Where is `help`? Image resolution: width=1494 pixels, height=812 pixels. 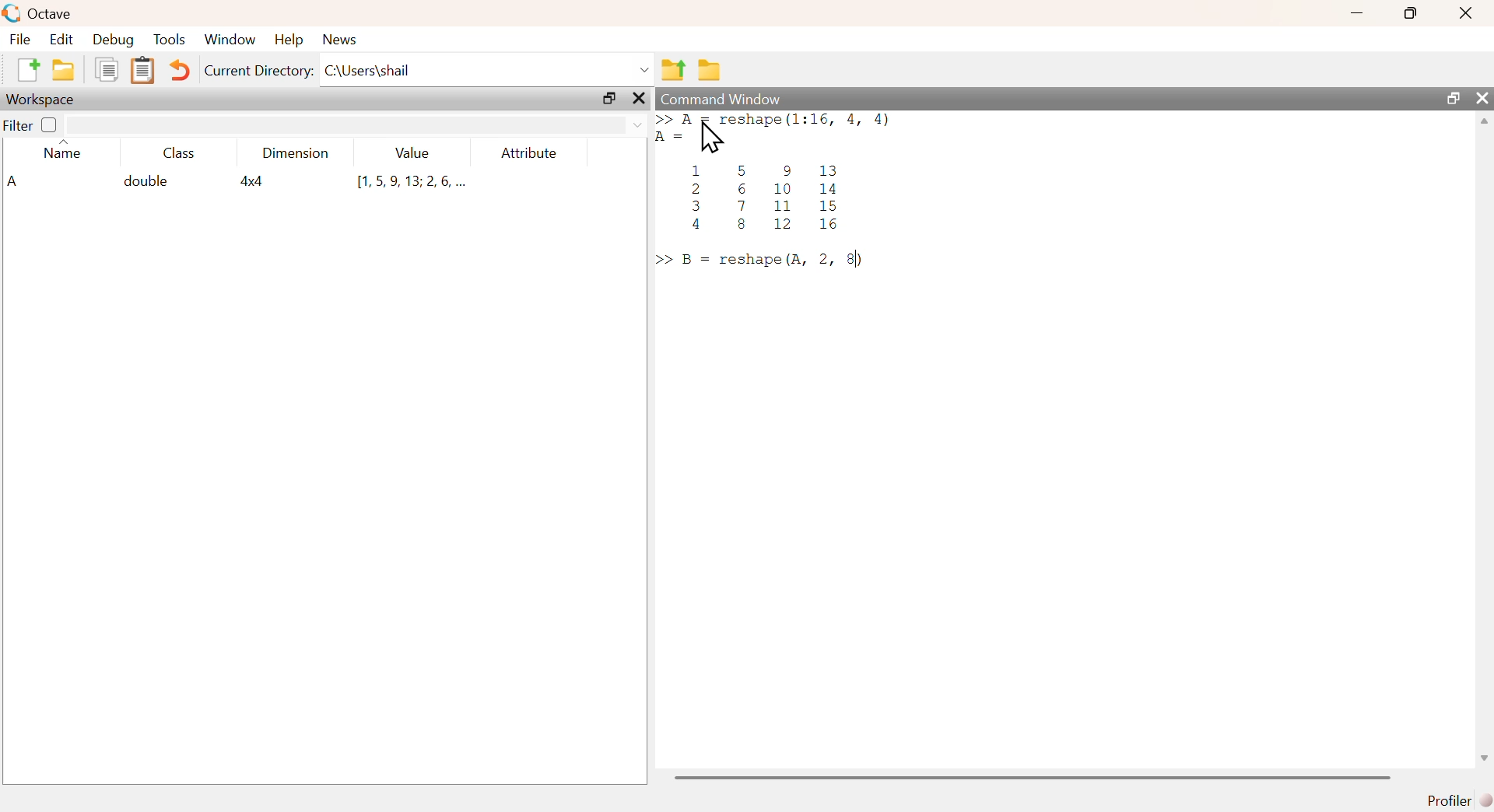 help is located at coordinates (291, 41).